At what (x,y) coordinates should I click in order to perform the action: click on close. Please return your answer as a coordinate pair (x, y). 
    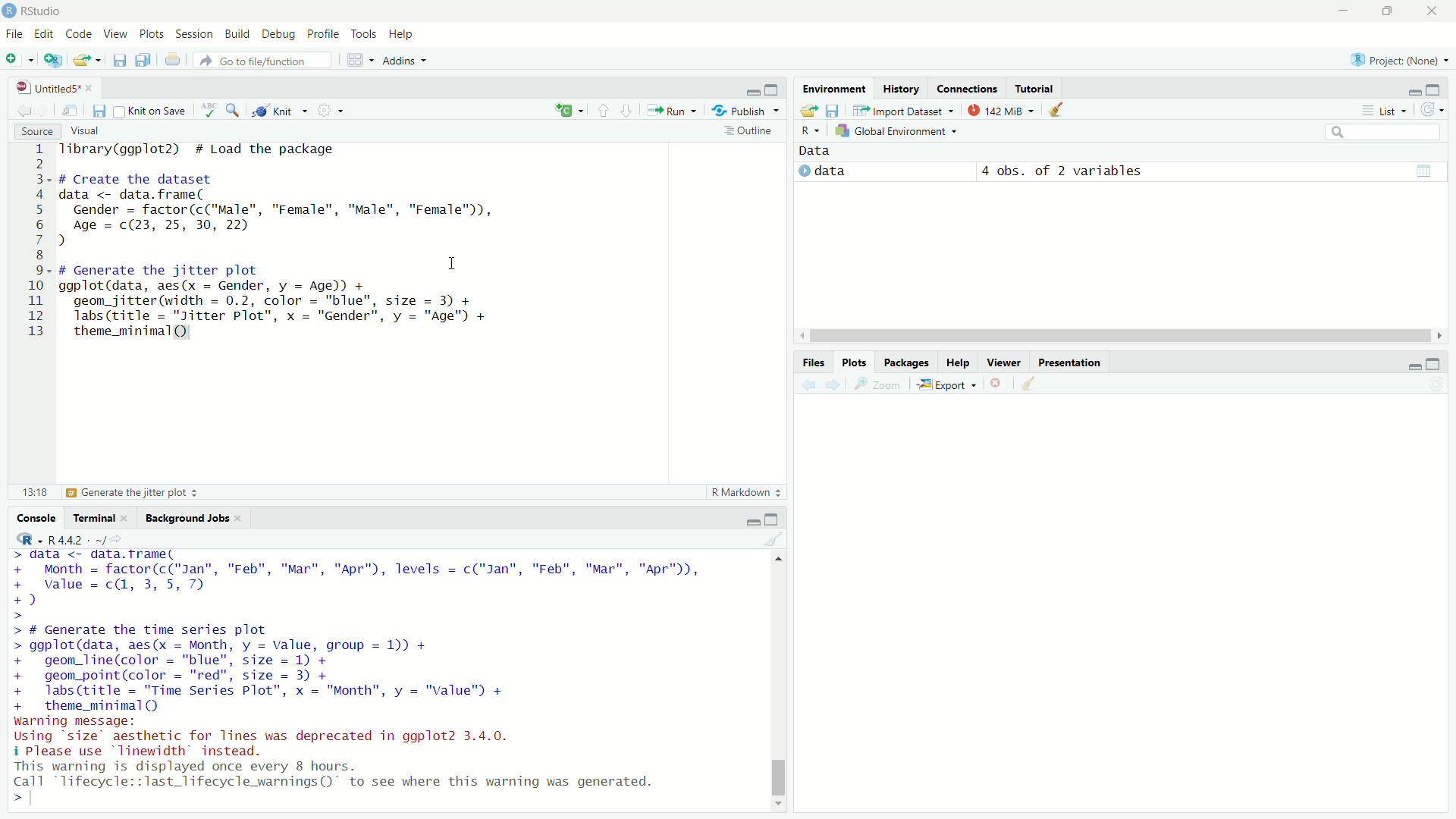
    Looking at the image, I should click on (1436, 11).